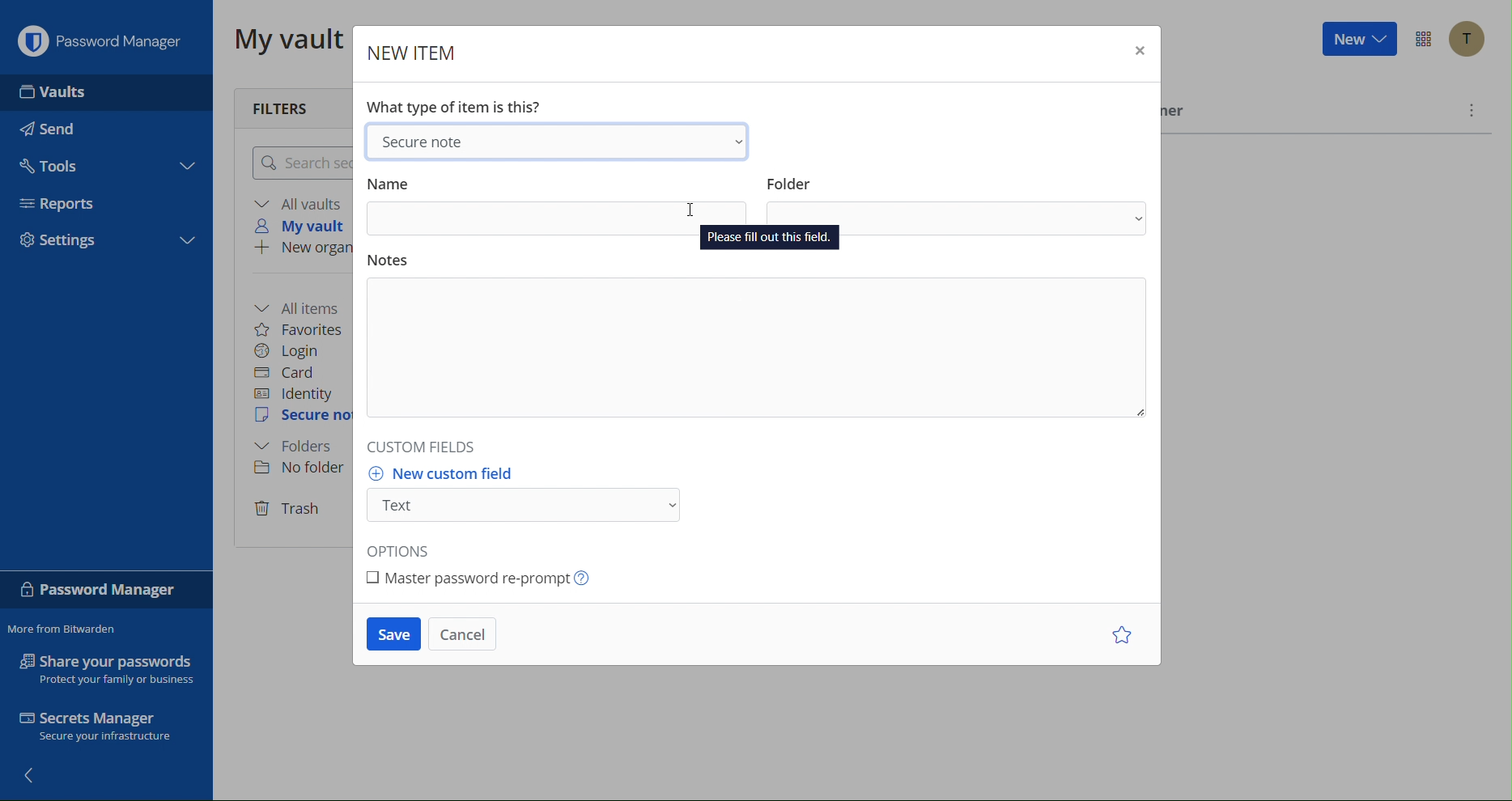 The image size is (1512, 801). Describe the element at coordinates (65, 239) in the screenshot. I see `Settings` at that location.